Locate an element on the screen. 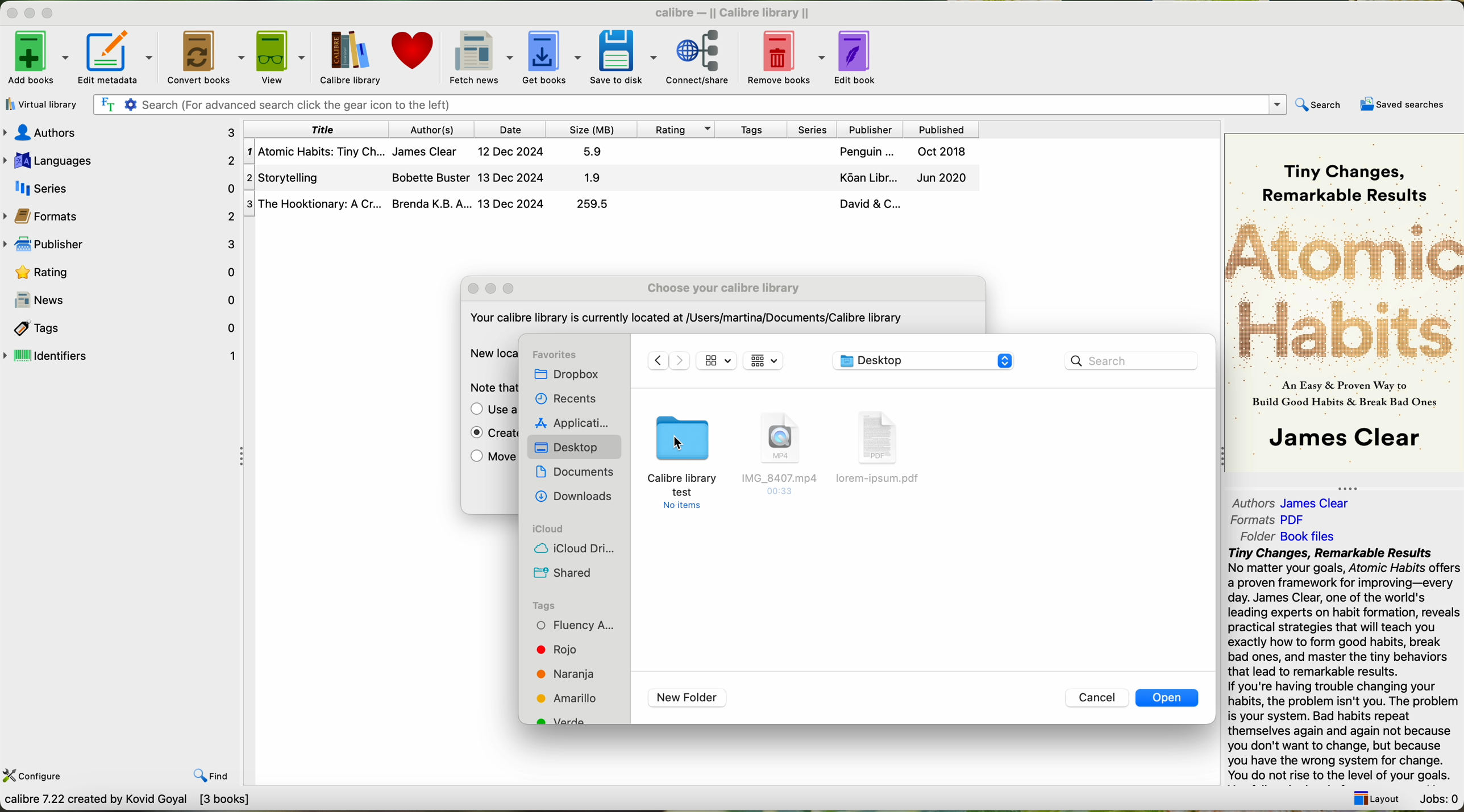  | Fr ¢ Search (For advanced search click the gear icon to the left) is located at coordinates (685, 103).